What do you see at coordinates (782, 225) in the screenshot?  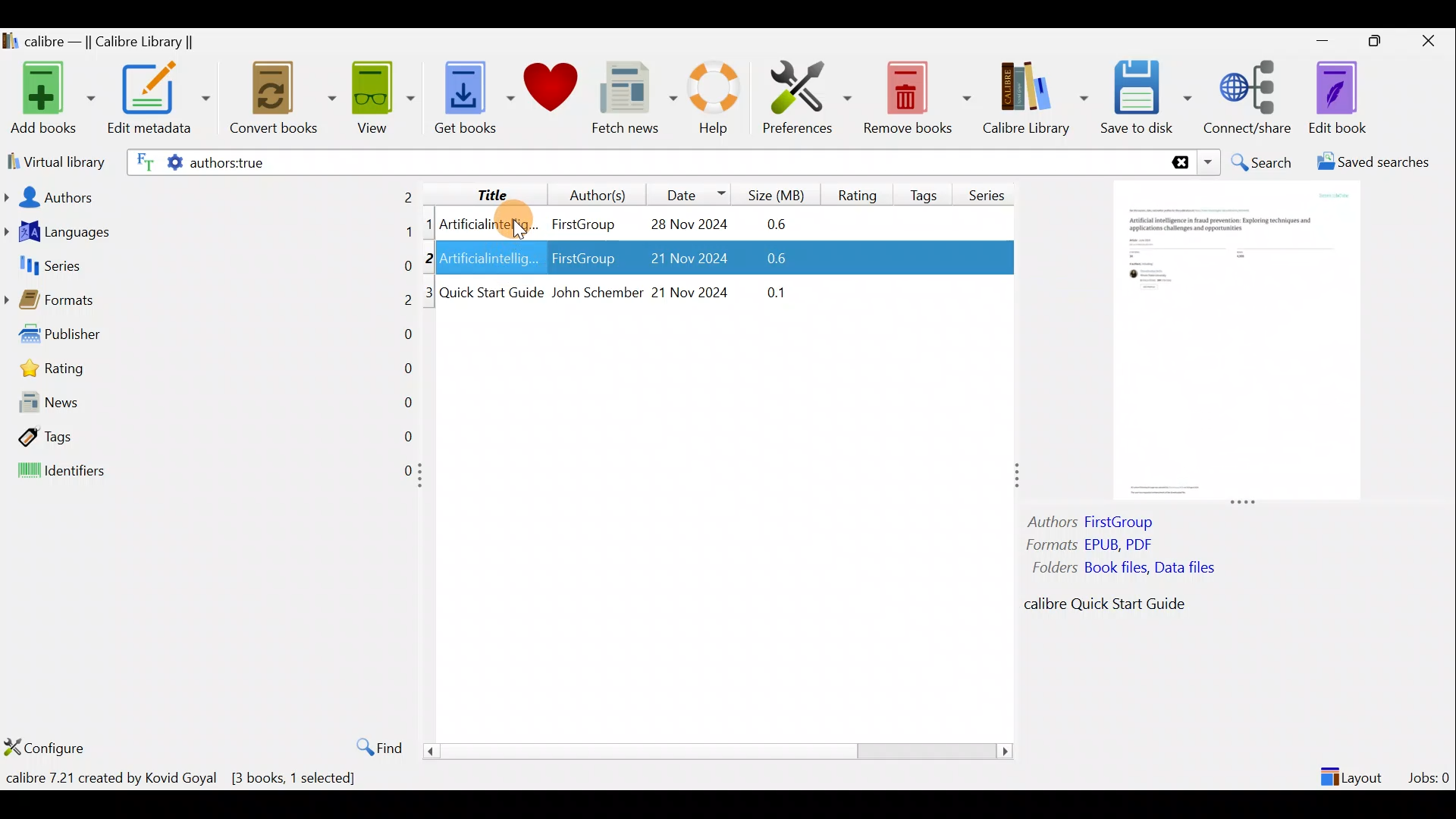 I see `0.6` at bounding box center [782, 225].